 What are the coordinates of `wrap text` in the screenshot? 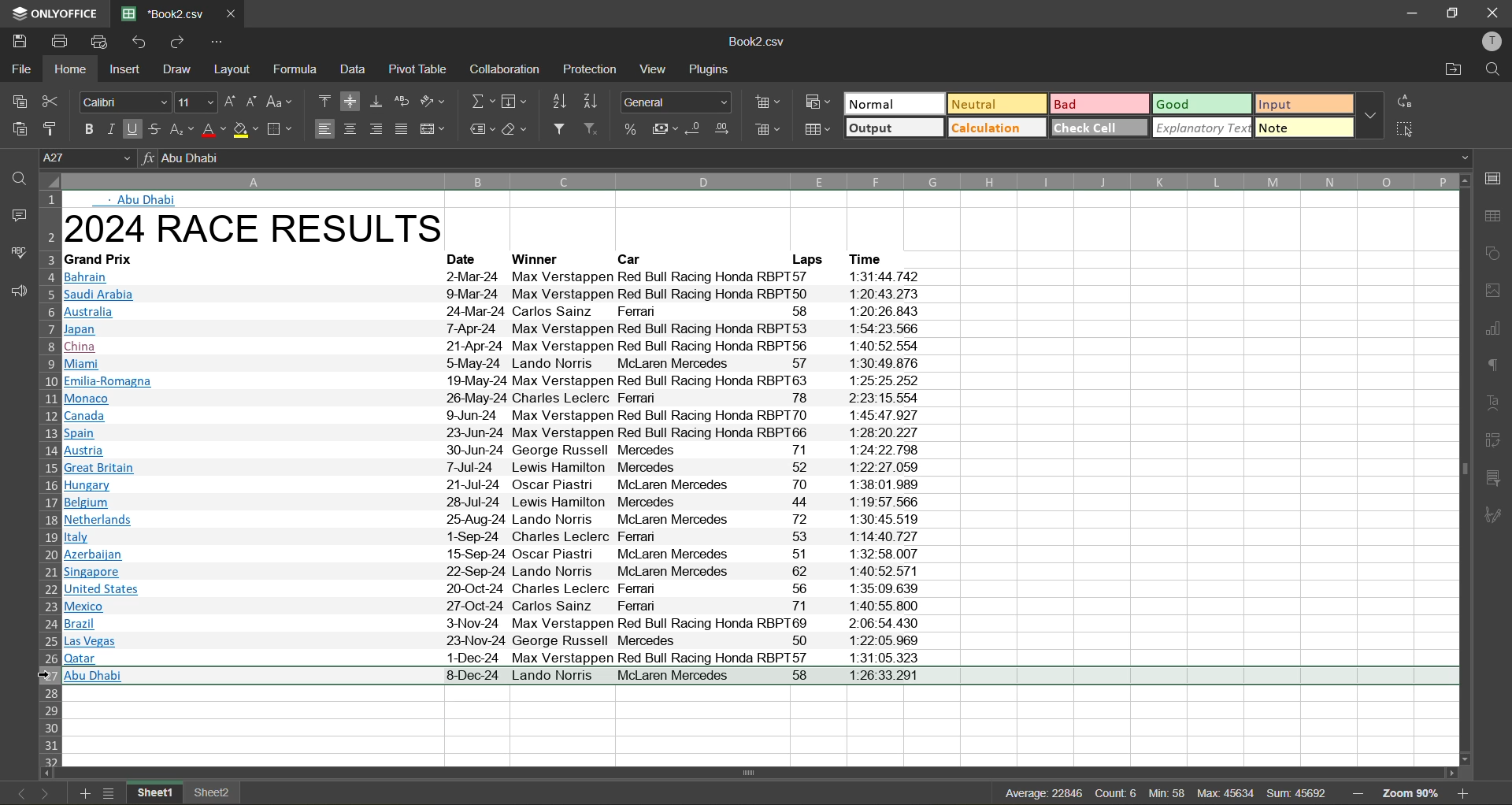 It's located at (402, 101).